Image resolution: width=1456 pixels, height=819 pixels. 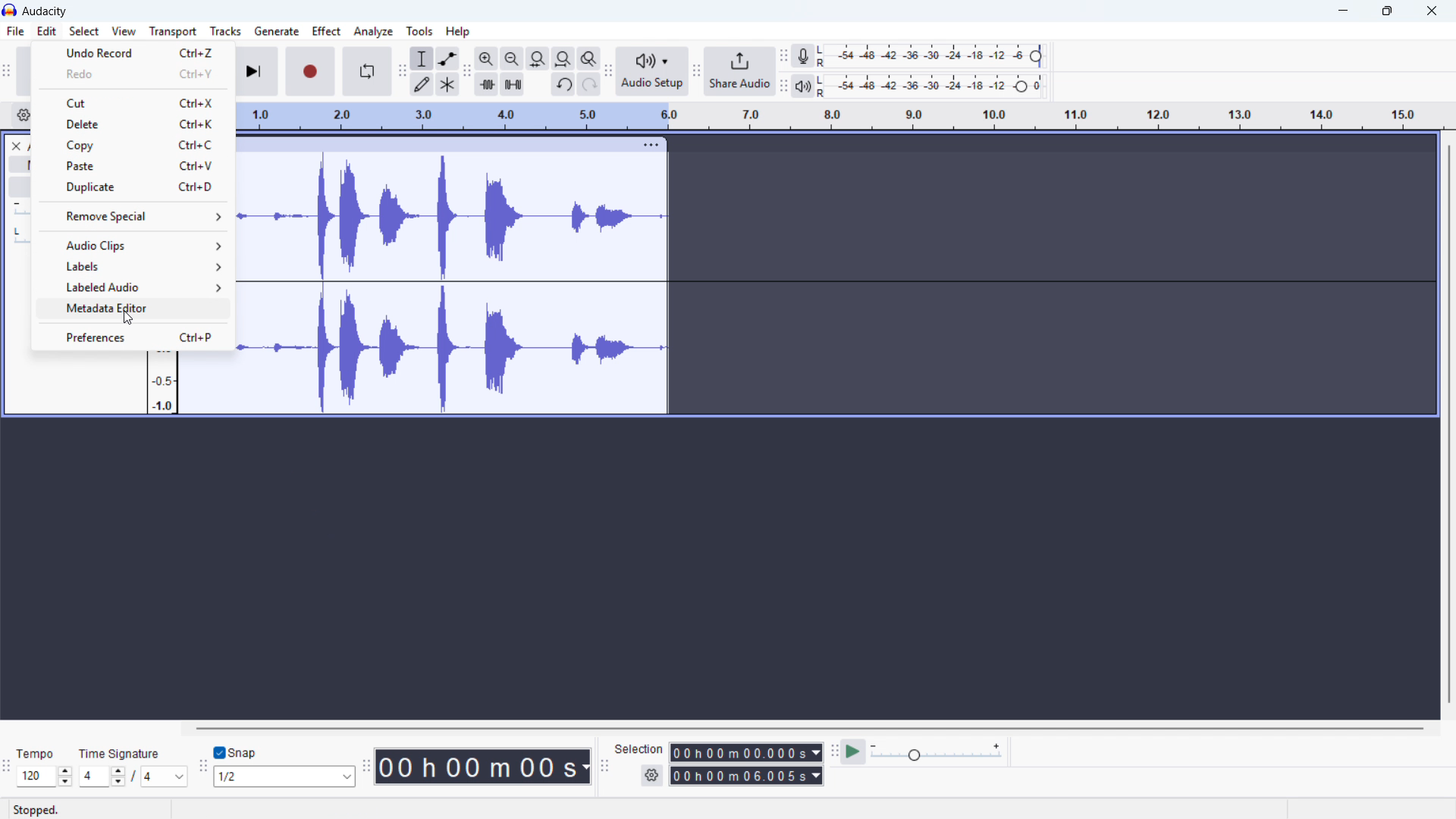 I want to click on play at speed , so click(x=853, y=753).